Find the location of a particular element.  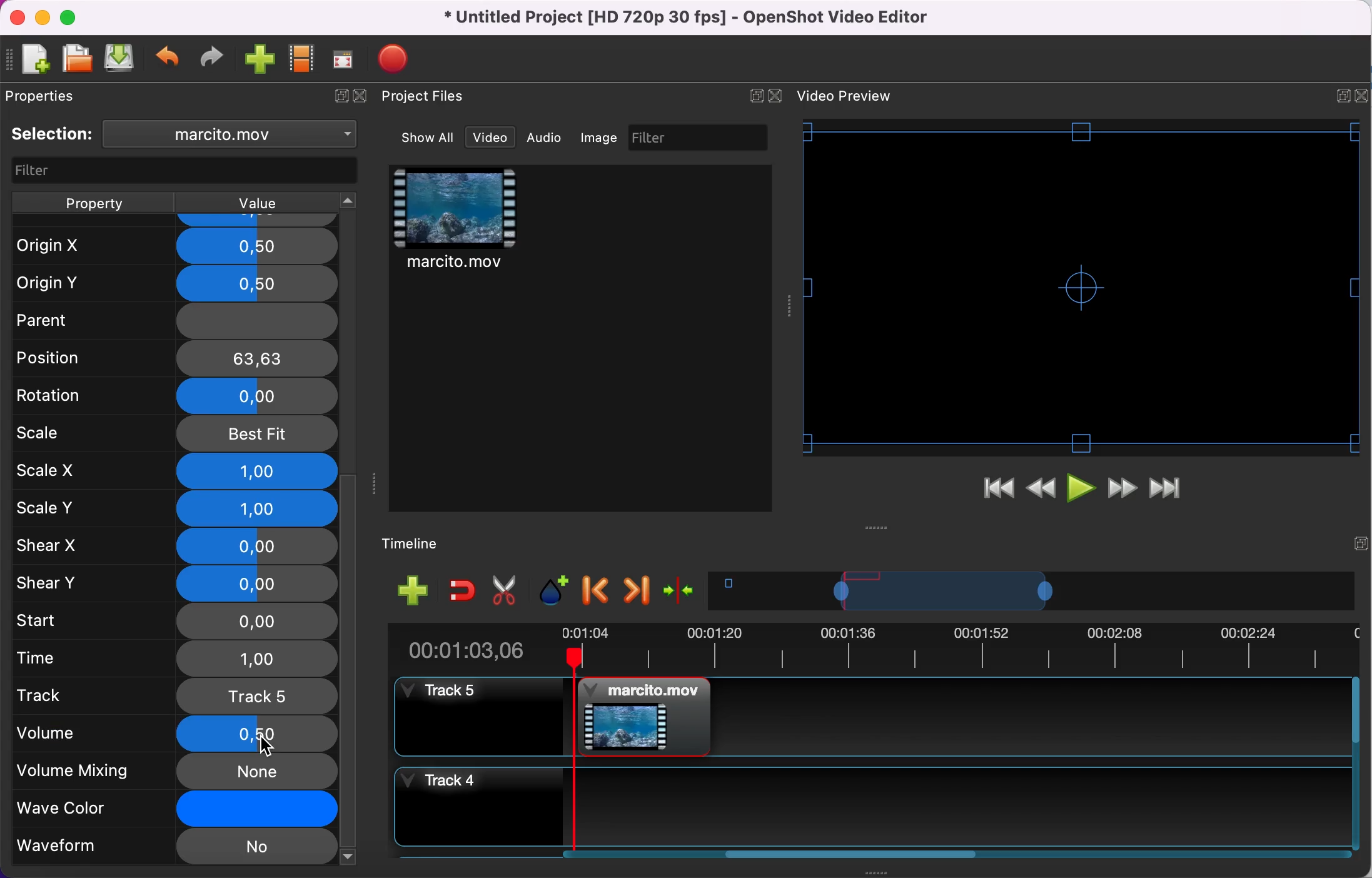

audio is located at coordinates (545, 137).